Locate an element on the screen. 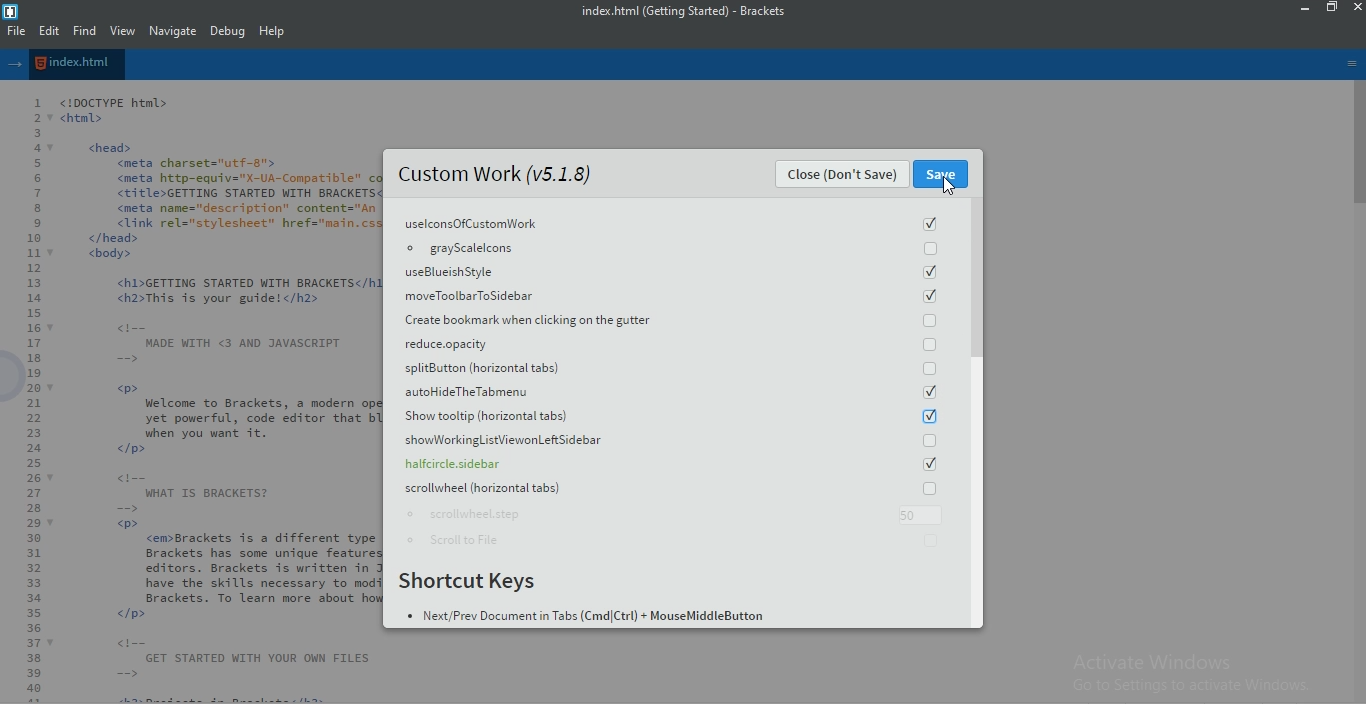 Image resolution: width=1366 pixels, height=704 pixels. moveToolbarToSidebar is located at coordinates (673, 295).